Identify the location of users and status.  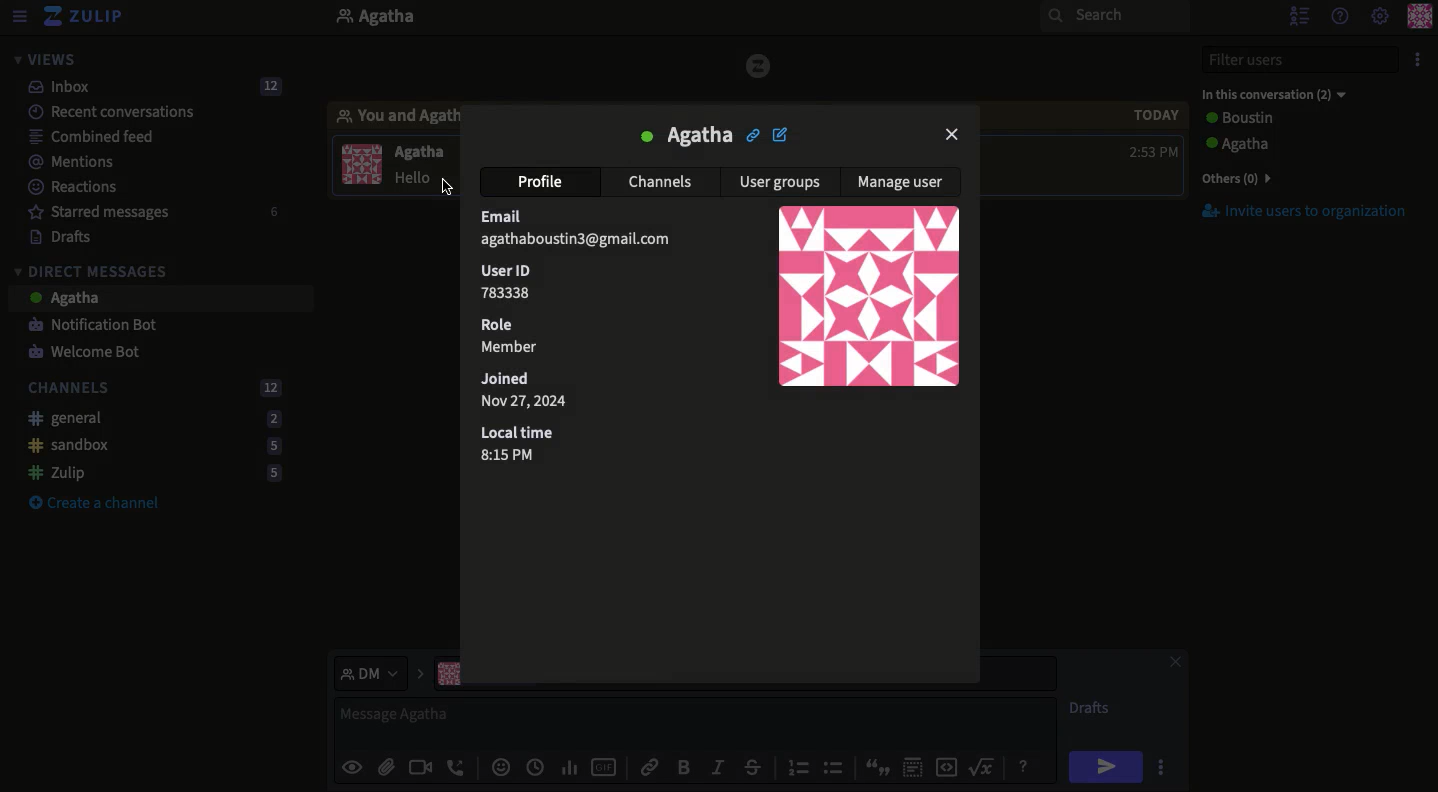
(1266, 145).